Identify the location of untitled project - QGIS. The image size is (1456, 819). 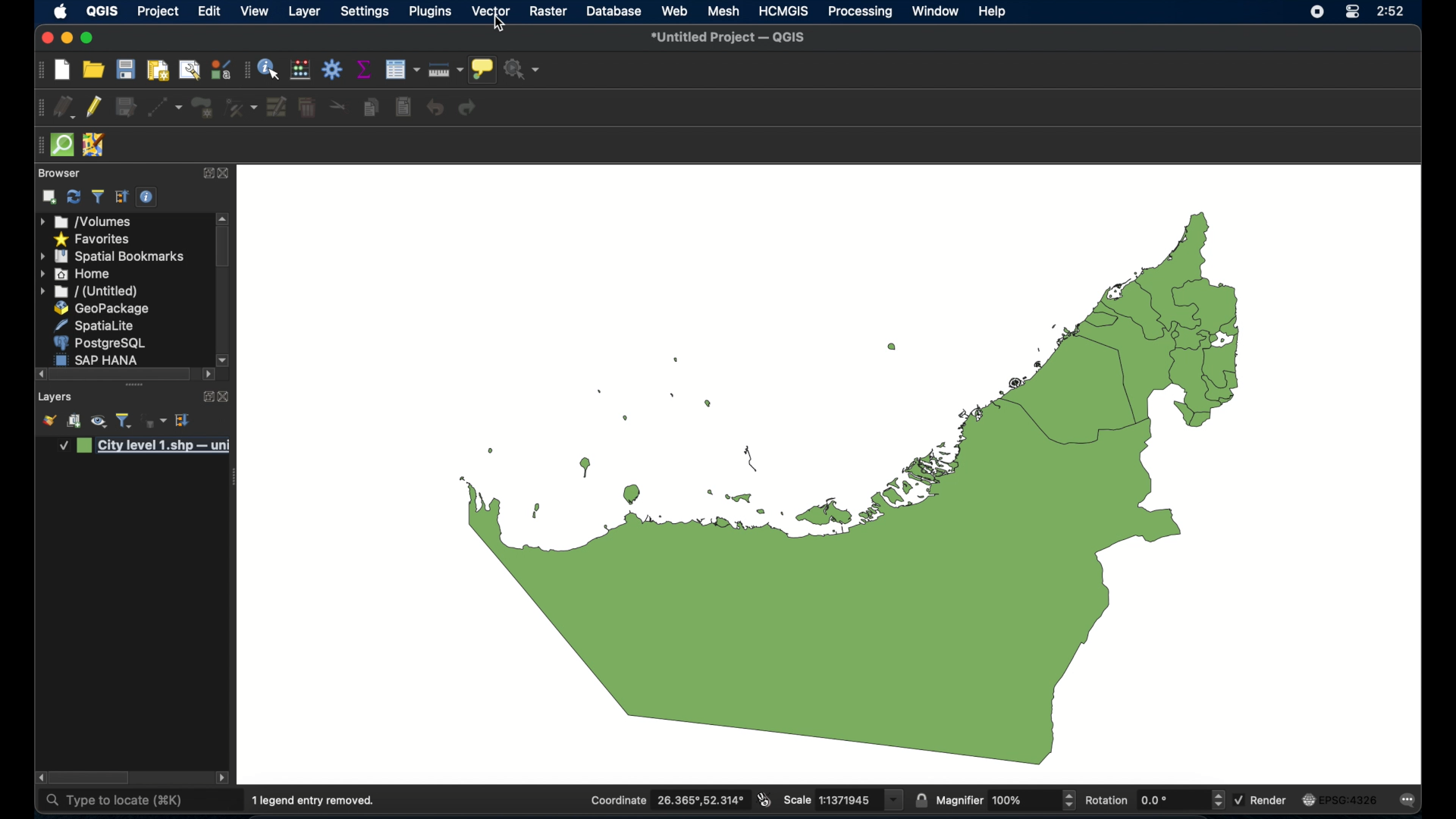
(732, 38).